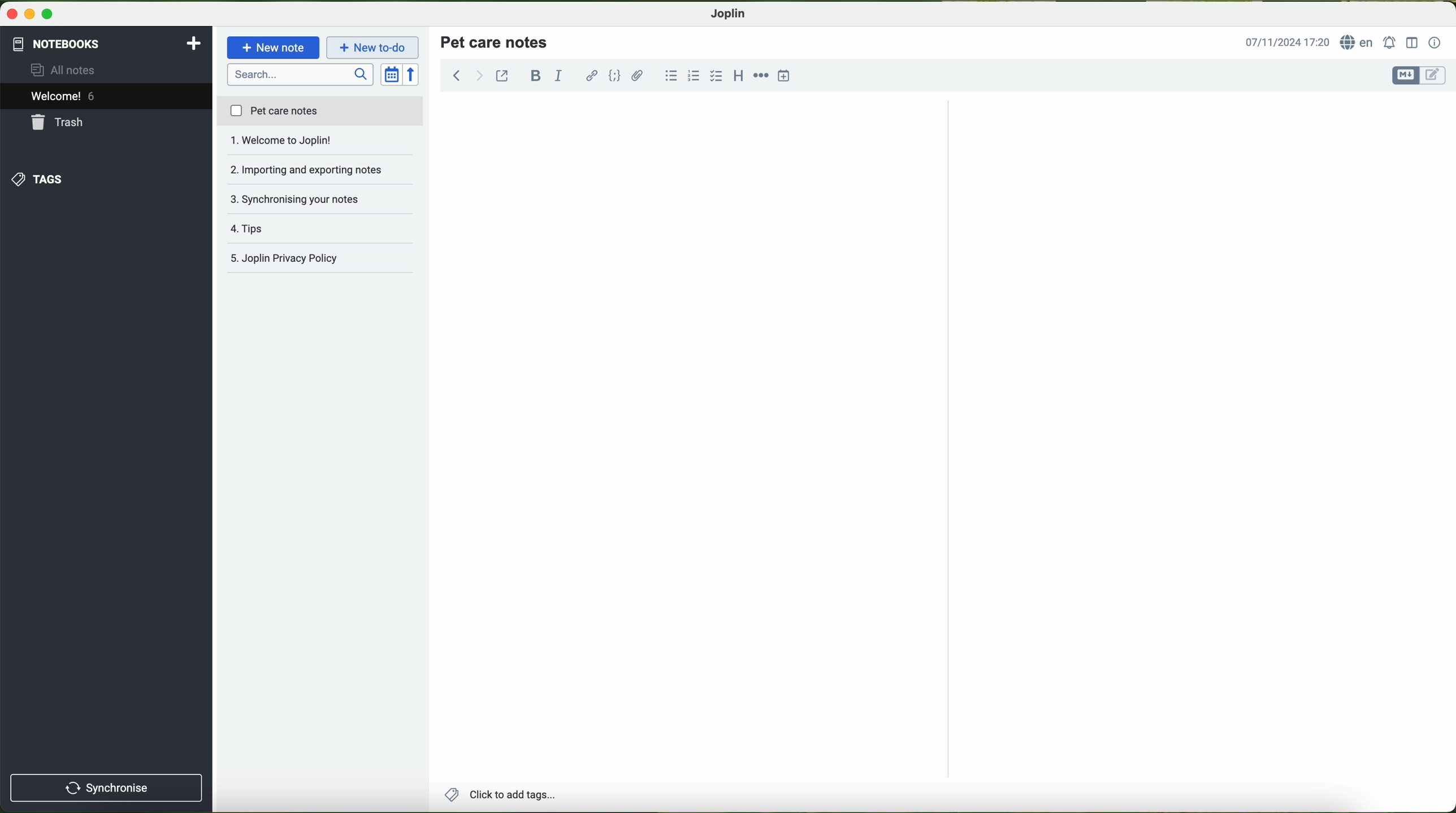  What do you see at coordinates (58, 124) in the screenshot?
I see `trash` at bounding box center [58, 124].